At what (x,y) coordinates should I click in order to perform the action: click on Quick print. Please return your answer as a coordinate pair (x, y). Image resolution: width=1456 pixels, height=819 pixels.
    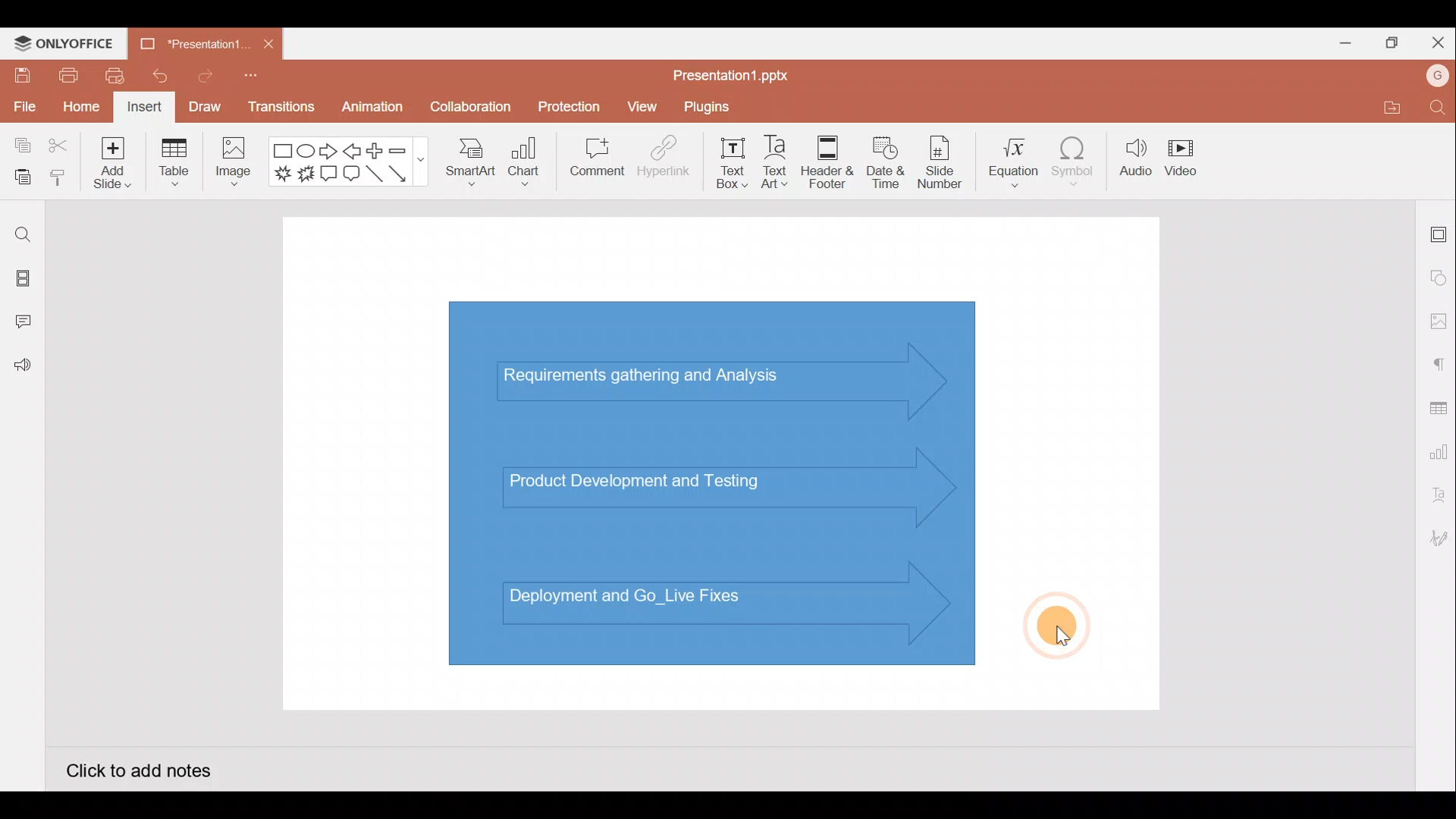
    Looking at the image, I should click on (110, 76).